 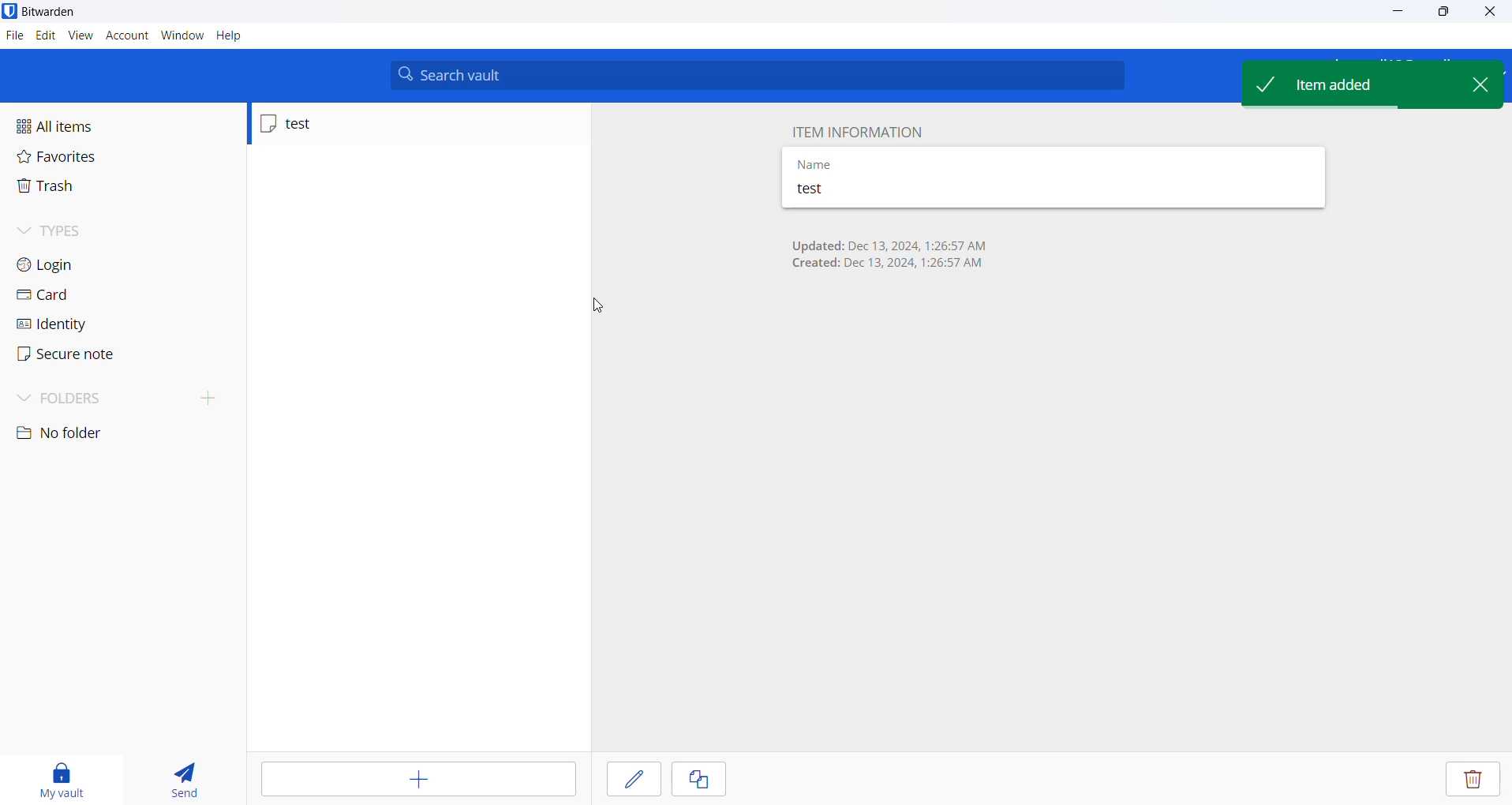 What do you see at coordinates (43, 35) in the screenshot?
I see `edit` at bounding box center [43, 35].